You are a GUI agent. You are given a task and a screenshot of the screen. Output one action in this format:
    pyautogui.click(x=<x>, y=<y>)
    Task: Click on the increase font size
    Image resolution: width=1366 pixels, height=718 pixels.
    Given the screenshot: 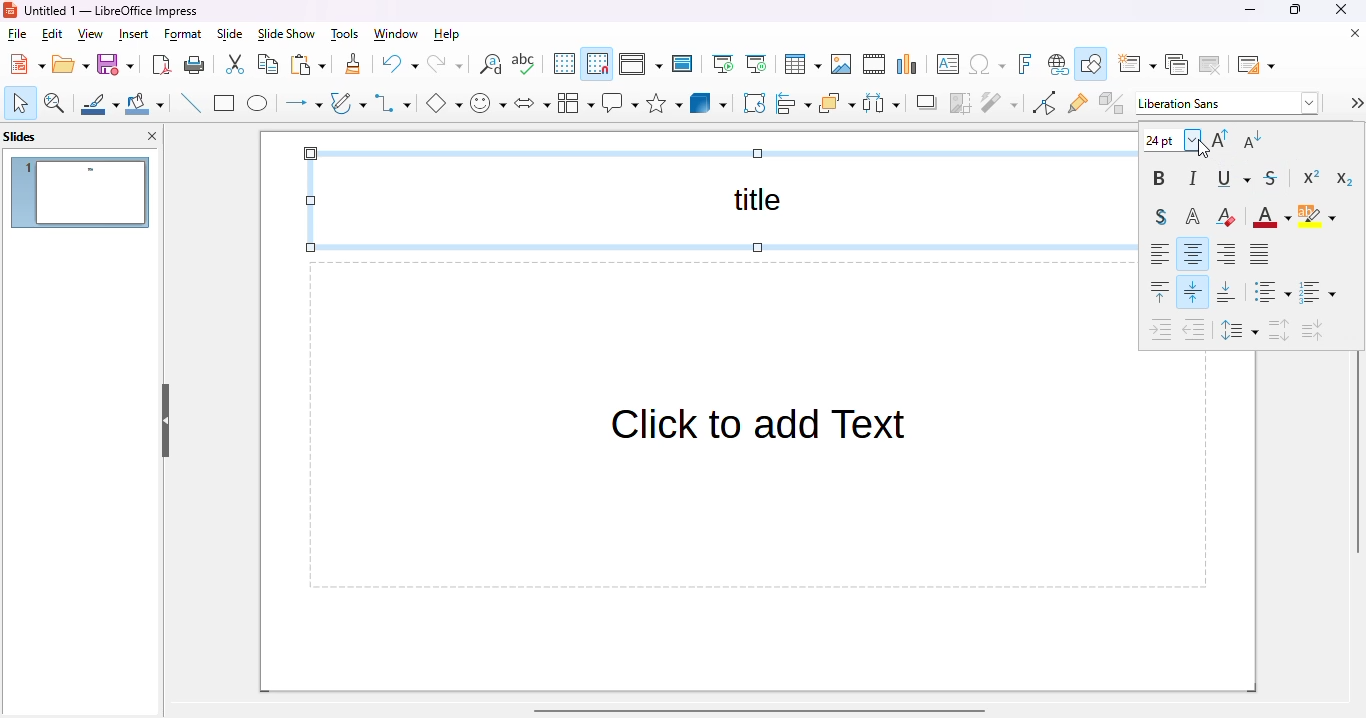 What is the action you would take?
    pyautogui.click(x=1221, y=138)
    